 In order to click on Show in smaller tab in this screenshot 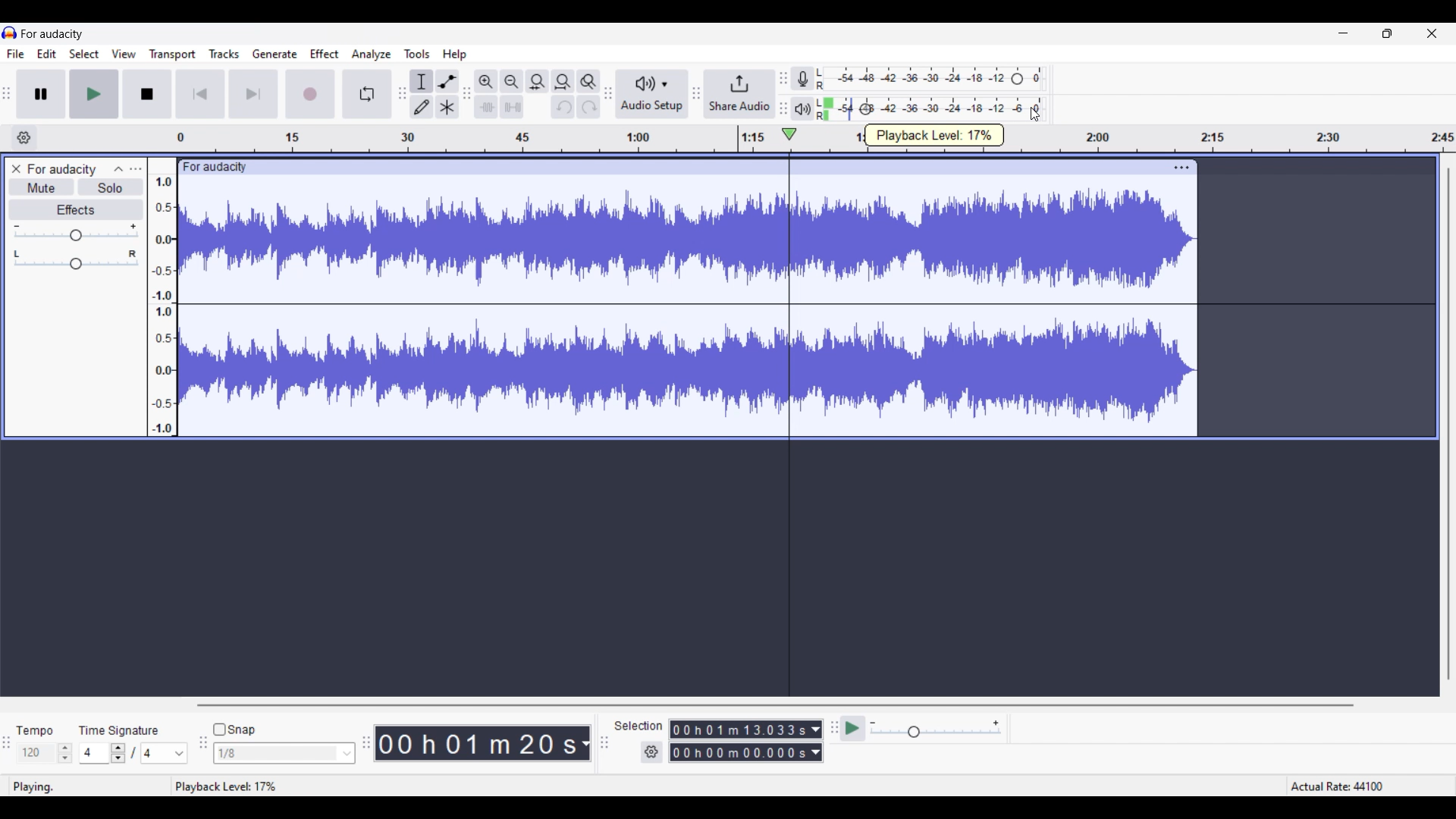, I will do `click(1387, 33)`.